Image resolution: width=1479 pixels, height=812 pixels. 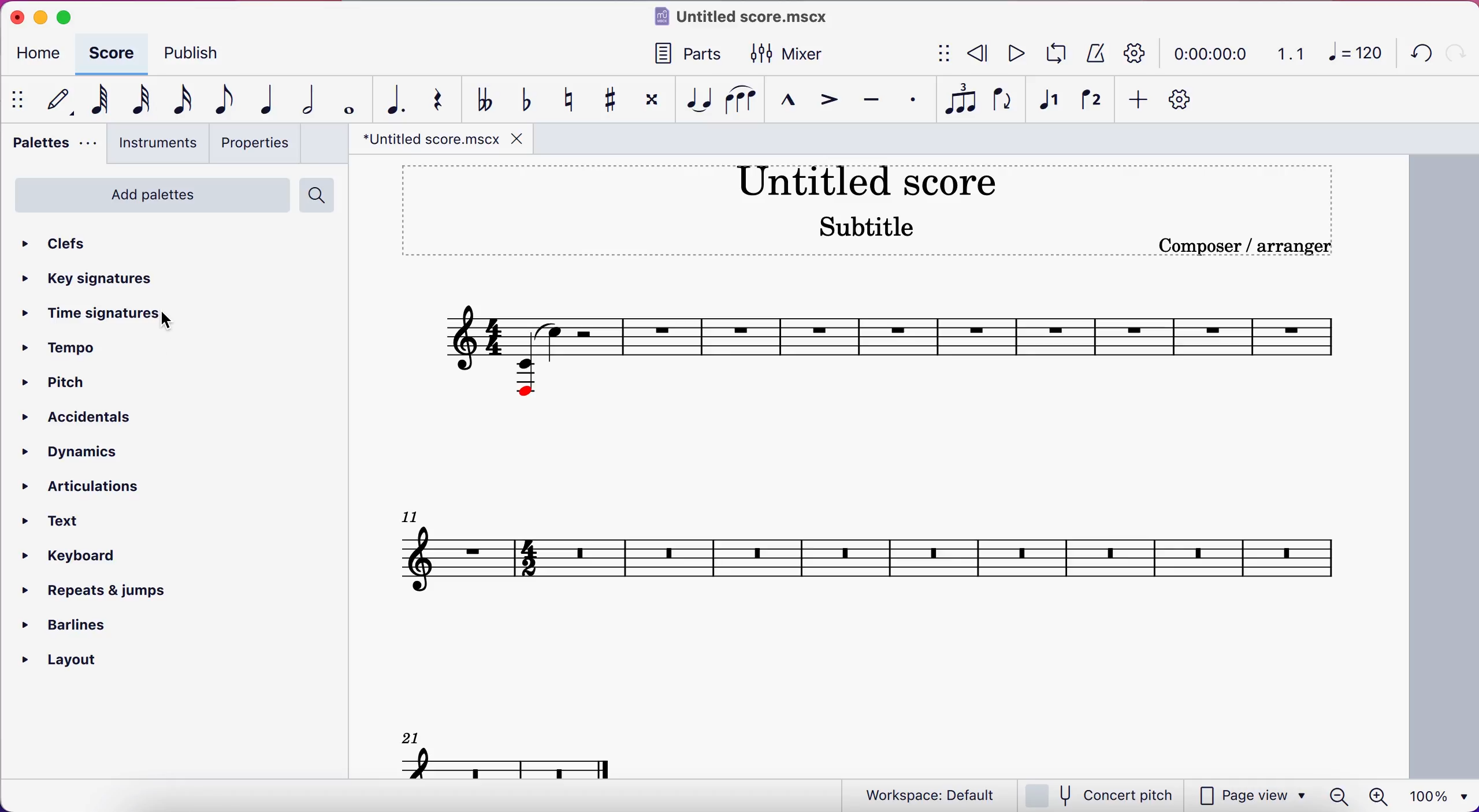 I want to click on workspace: default, so click(x=929, y=795).